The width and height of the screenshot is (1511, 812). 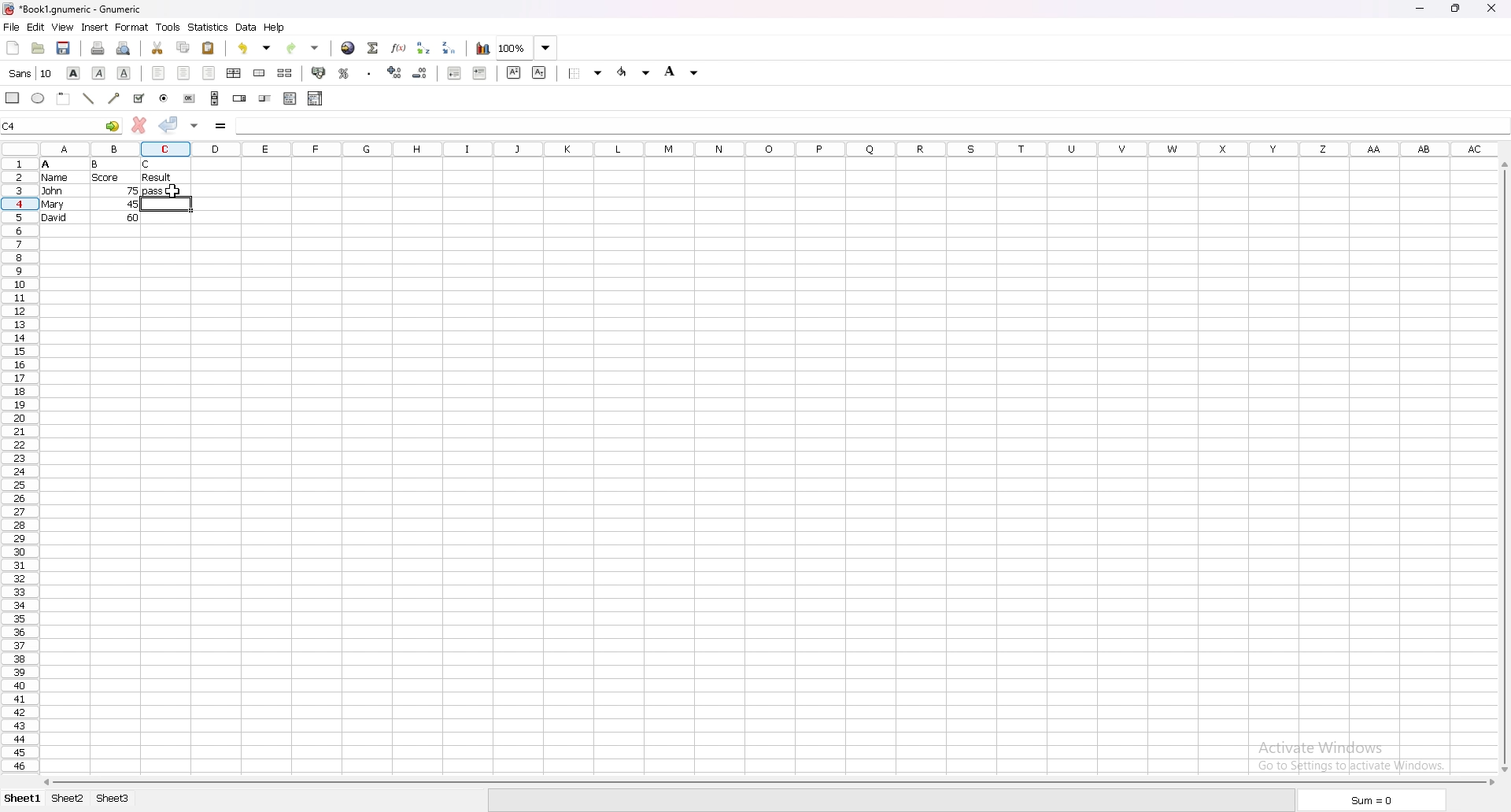 I want to click on redo, so click(x=303, y=49).